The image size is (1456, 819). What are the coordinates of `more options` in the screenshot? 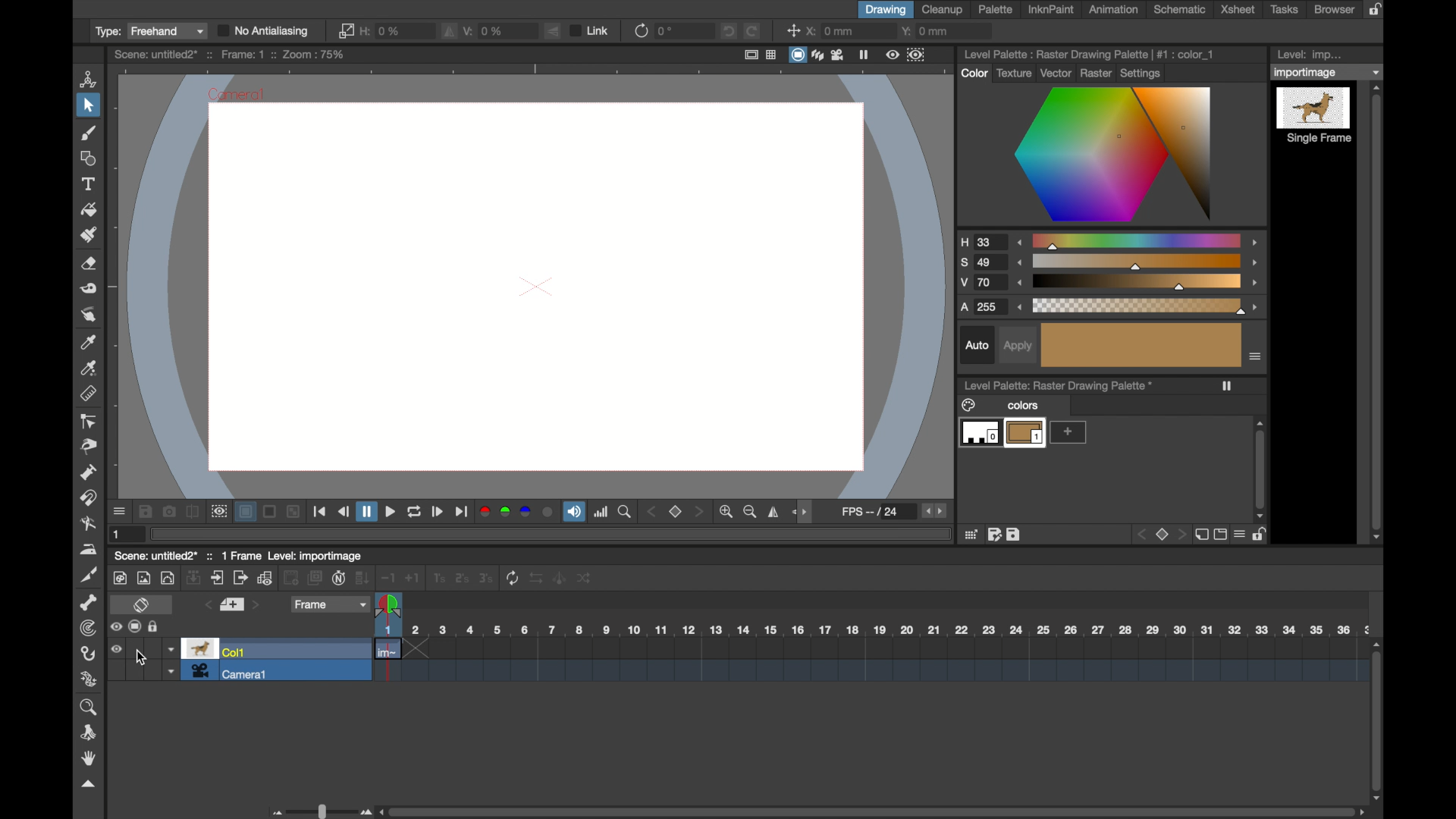 It's located at (1256, 356).